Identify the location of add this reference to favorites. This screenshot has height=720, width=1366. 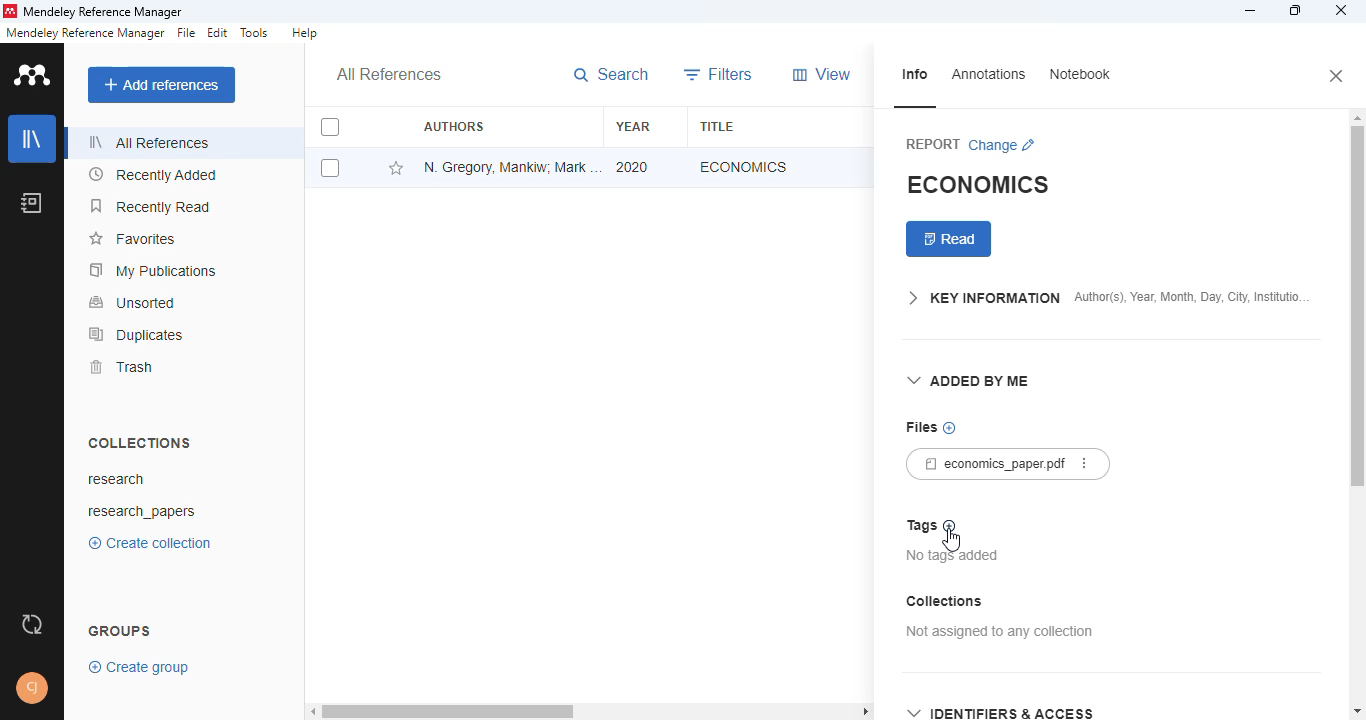
(396, 168).